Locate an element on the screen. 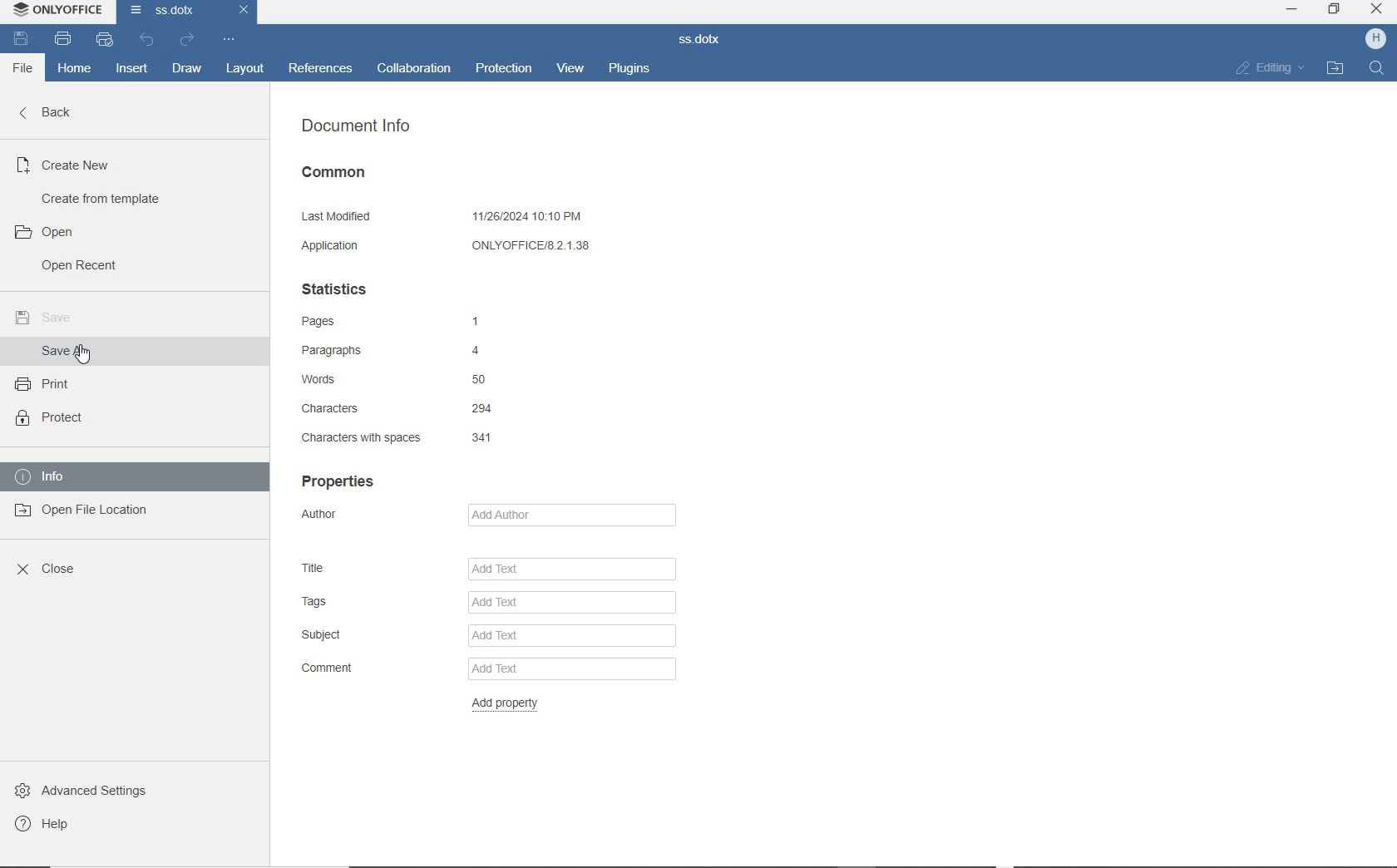  CLOSE is located at coordinates (52, 566).